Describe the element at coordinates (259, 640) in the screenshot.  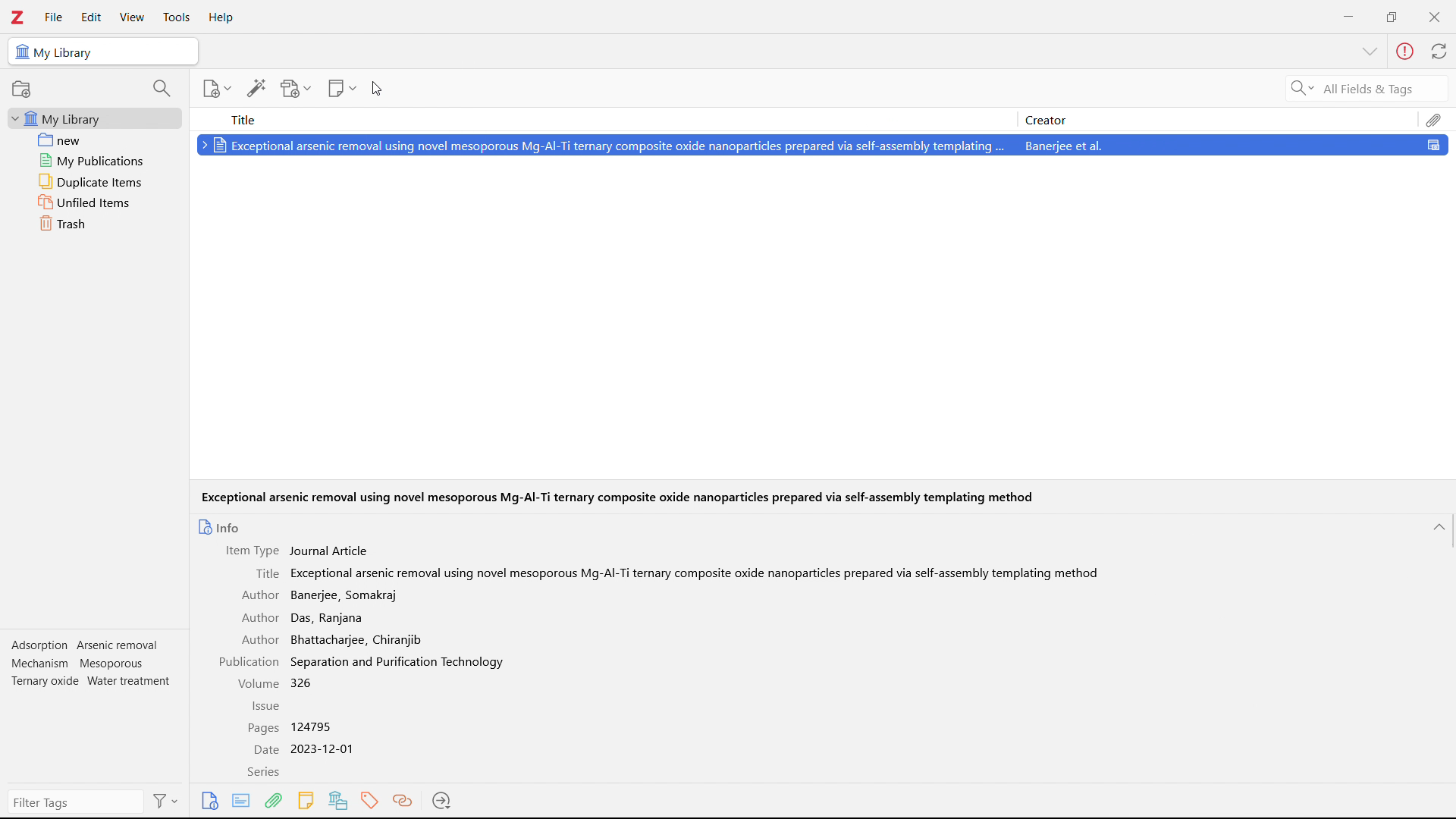
I see `Author` at that location.